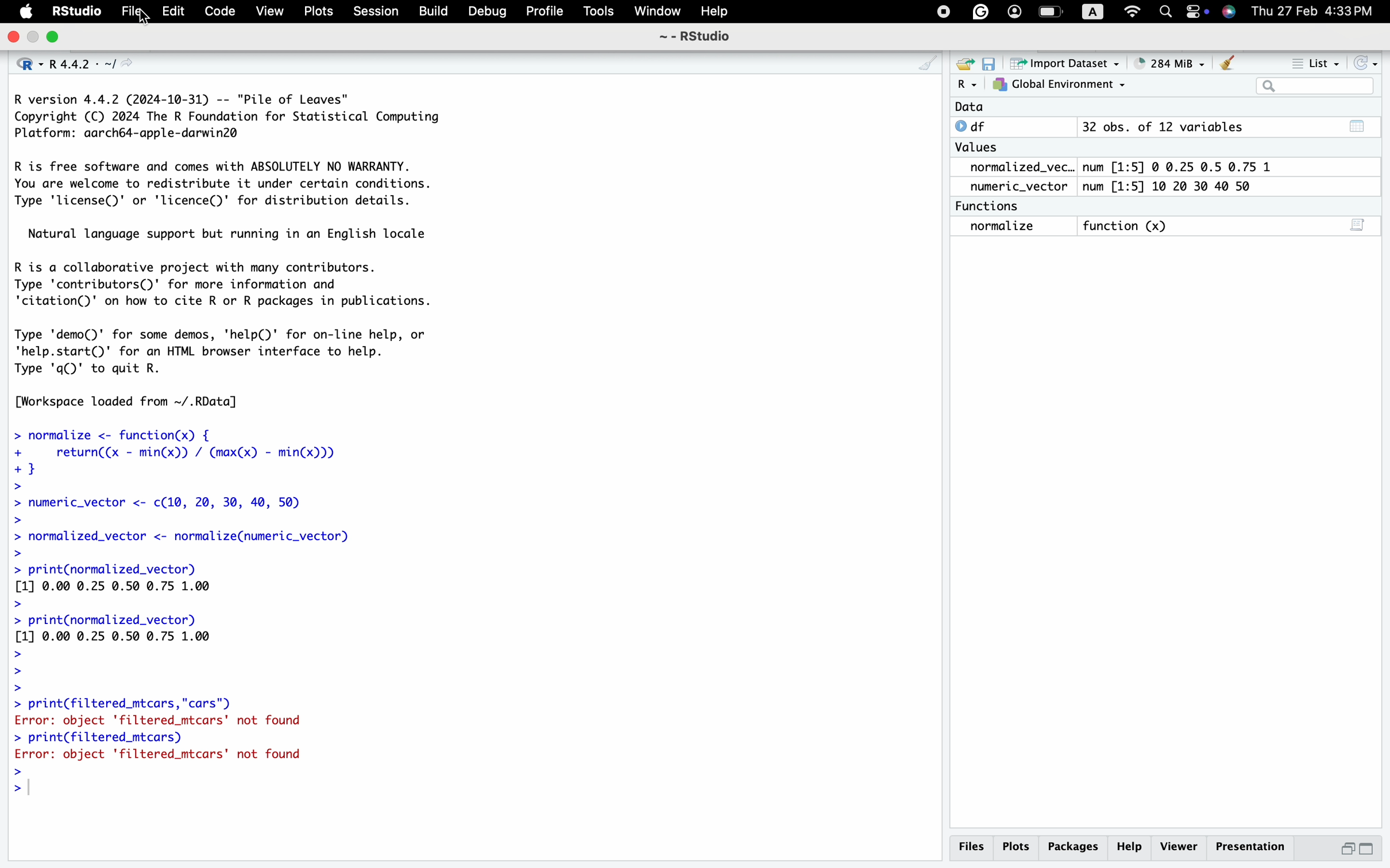 The image size is (1390, 868). Describe the element at coordinates (33, 36) in the screenshot. I see `minimise` at that location.